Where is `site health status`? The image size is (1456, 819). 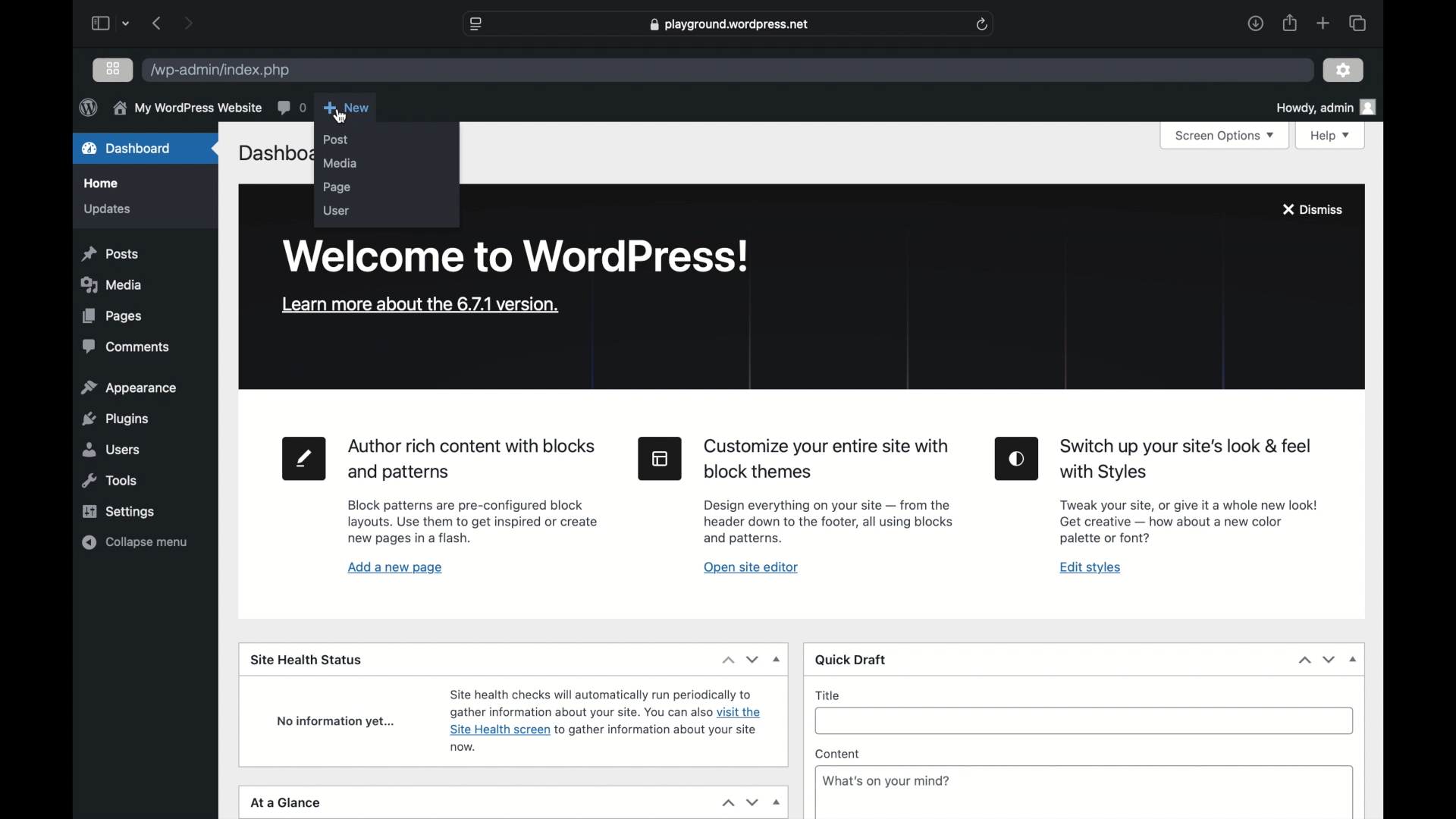 site health status is located at coordinates (306, 661).